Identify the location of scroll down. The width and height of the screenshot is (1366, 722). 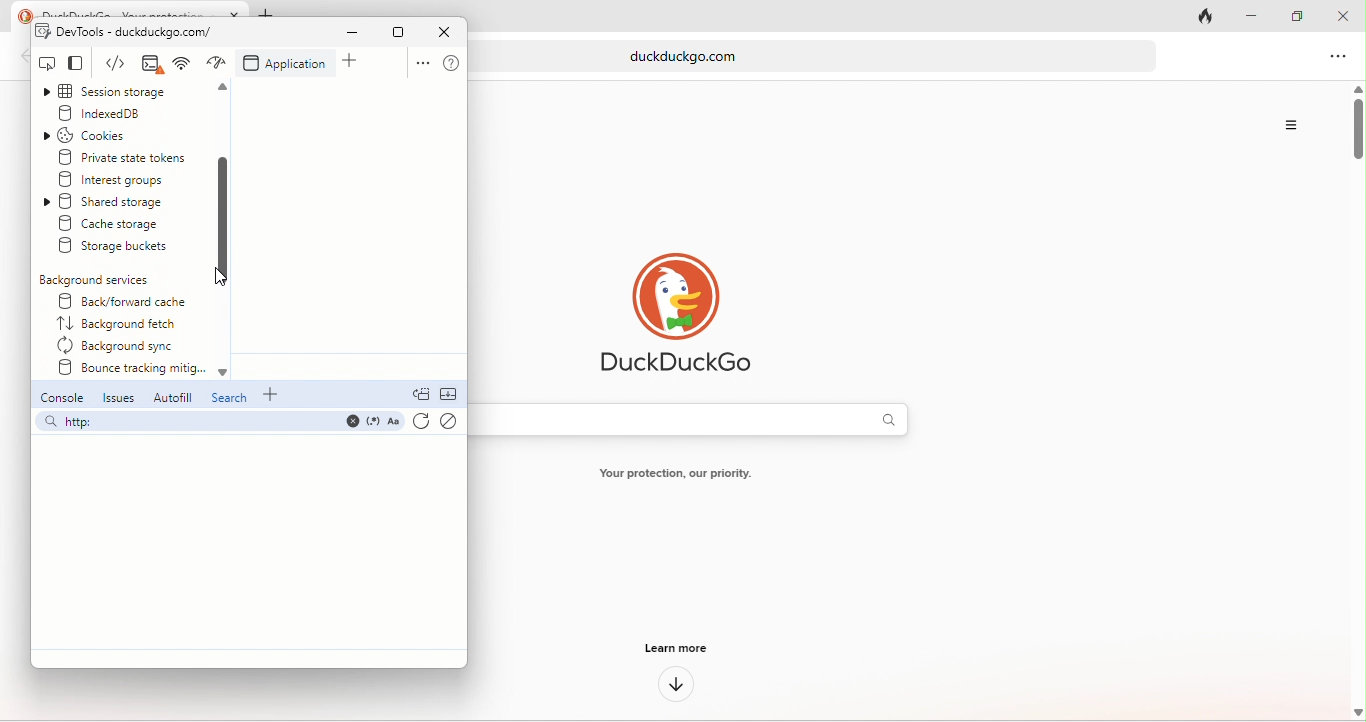
(225, 223).